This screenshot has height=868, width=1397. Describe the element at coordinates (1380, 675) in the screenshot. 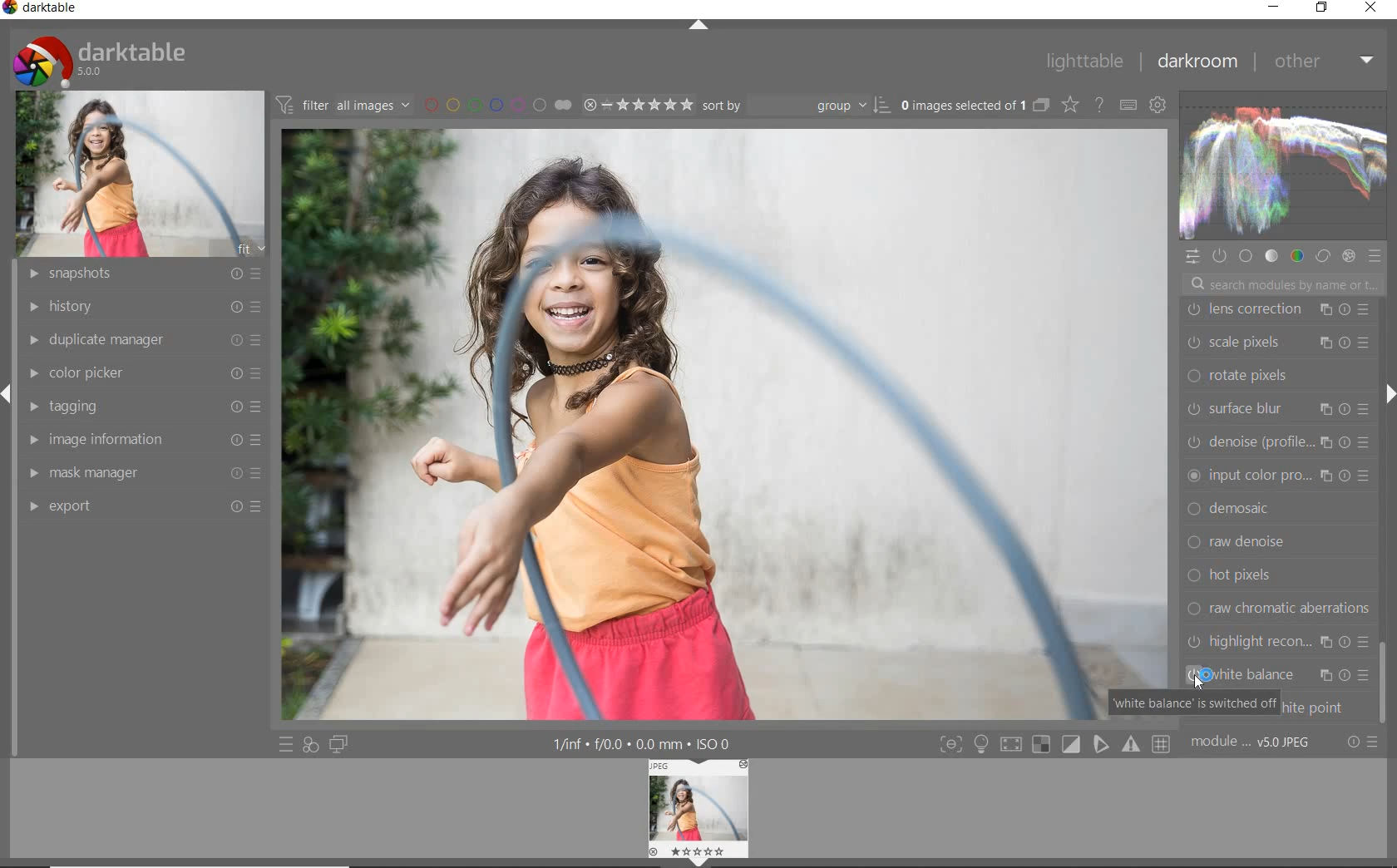

I see `scrollbar` at that location.